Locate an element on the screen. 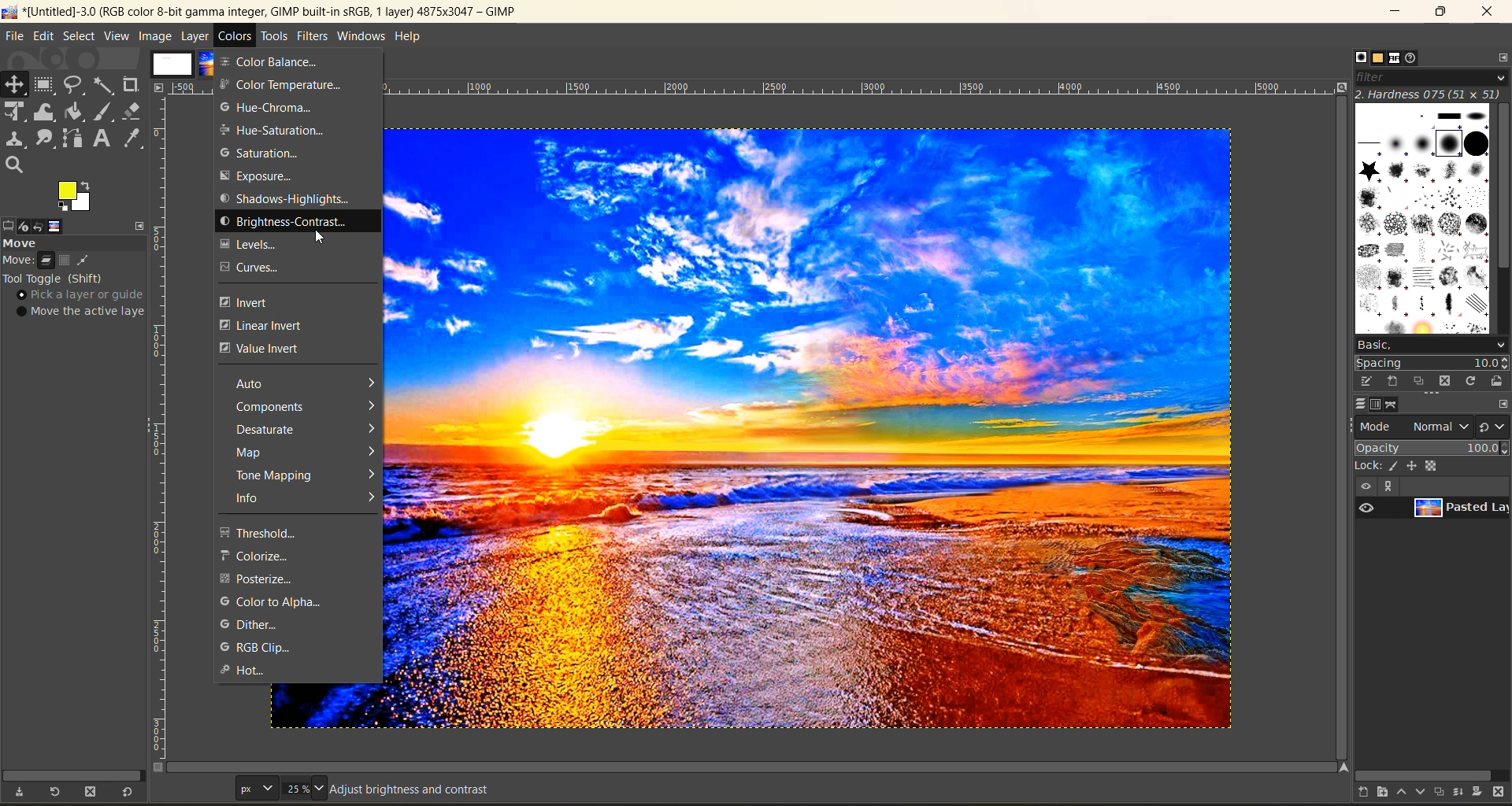 The image size is (1512, 806). lock pixels, position and size, alpha is located at coordinates (1431, 465).